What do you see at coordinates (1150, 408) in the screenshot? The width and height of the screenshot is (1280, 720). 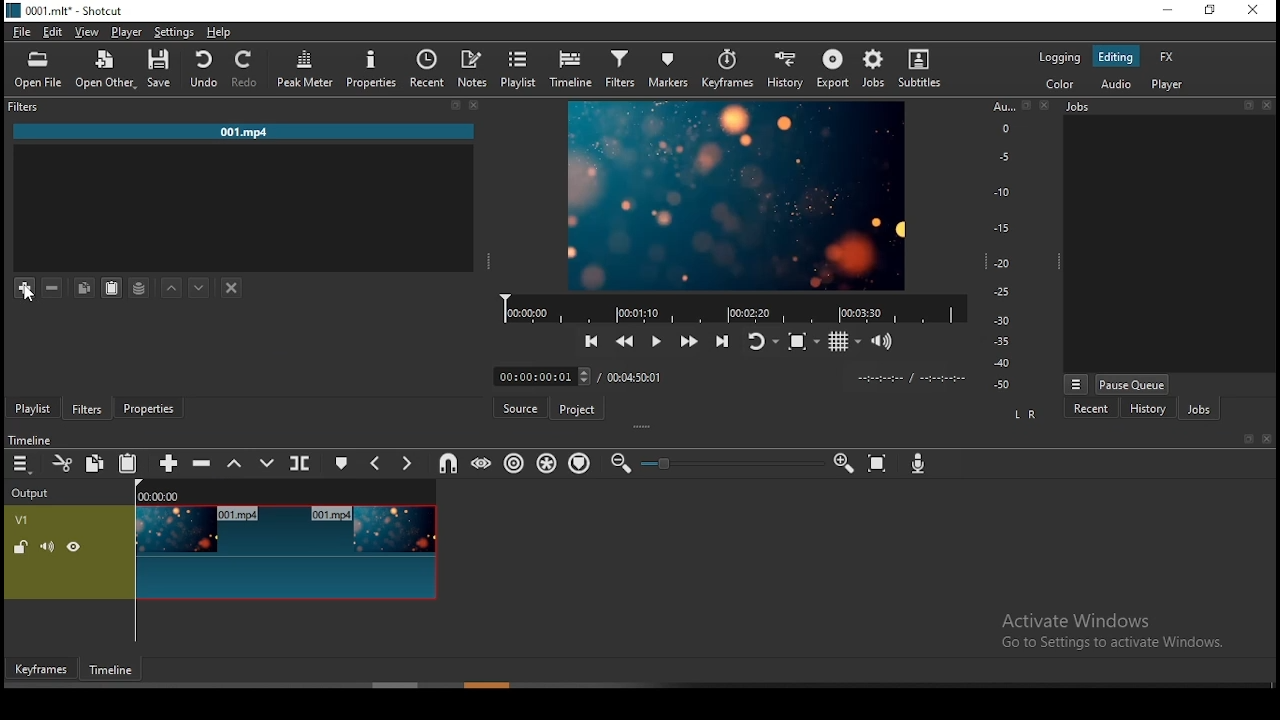 I see `history` at bounding box center [1150, 408].